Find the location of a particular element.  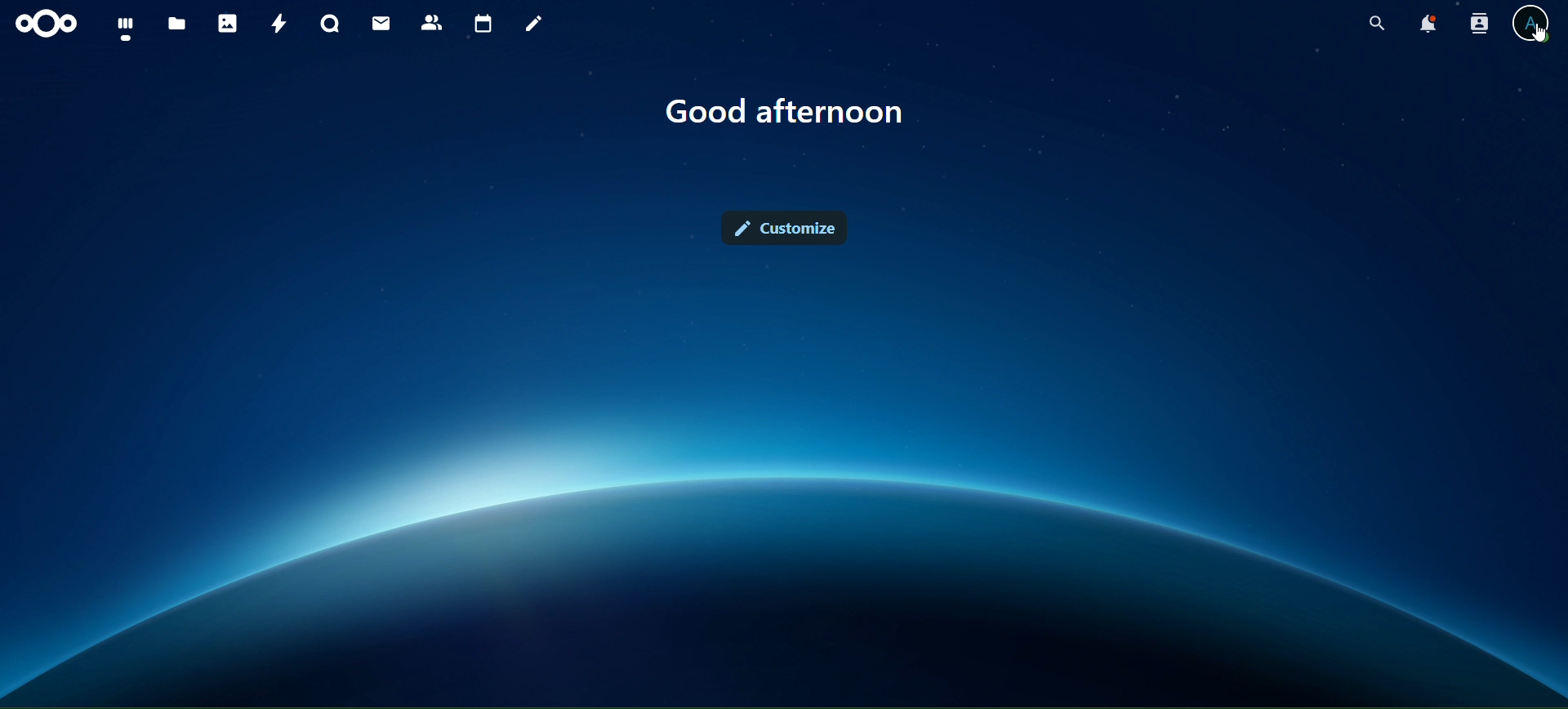

notes is located at coordinates (535, 24).